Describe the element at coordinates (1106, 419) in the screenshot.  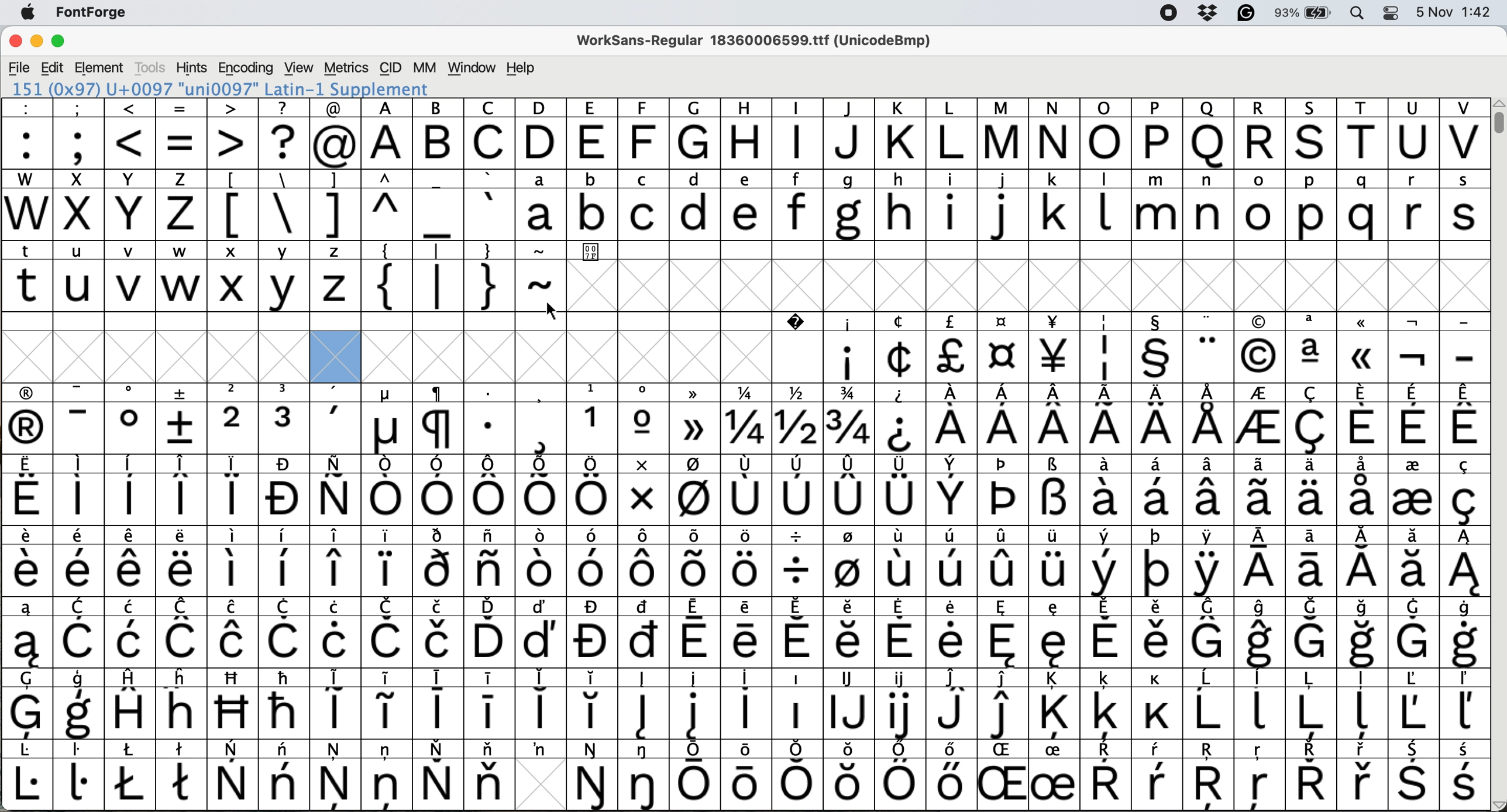
I see `symbol` at that location.